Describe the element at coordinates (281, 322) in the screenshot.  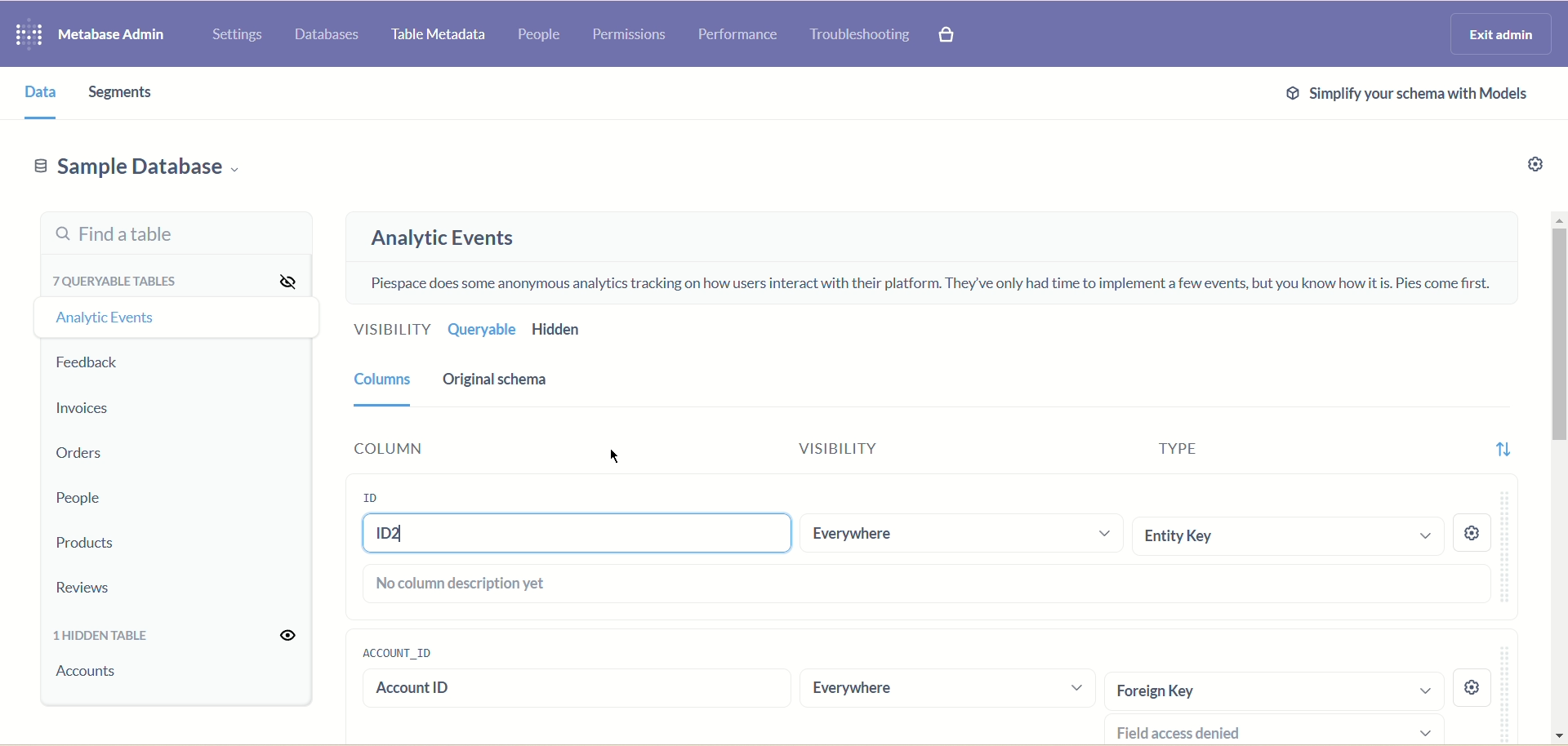
I see `Hide` at that location.